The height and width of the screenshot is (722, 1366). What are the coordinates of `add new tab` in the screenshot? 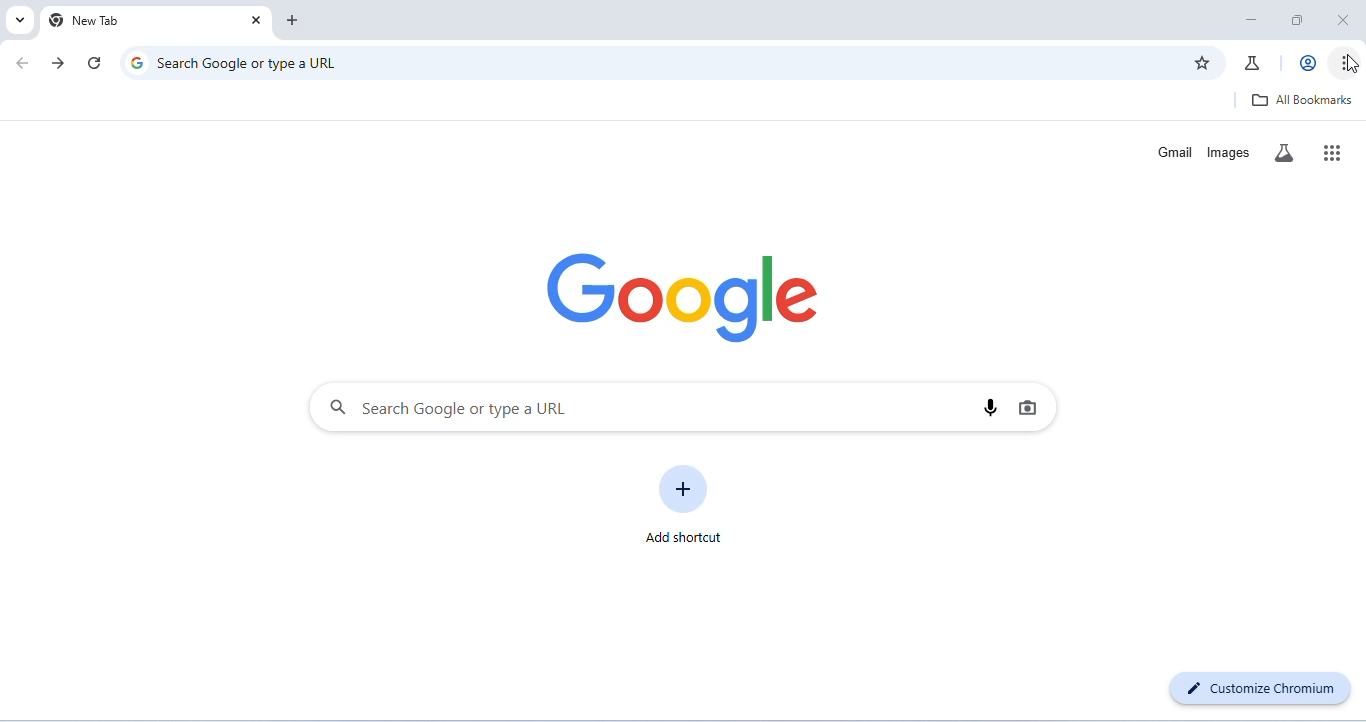 It's located at (293, 20).